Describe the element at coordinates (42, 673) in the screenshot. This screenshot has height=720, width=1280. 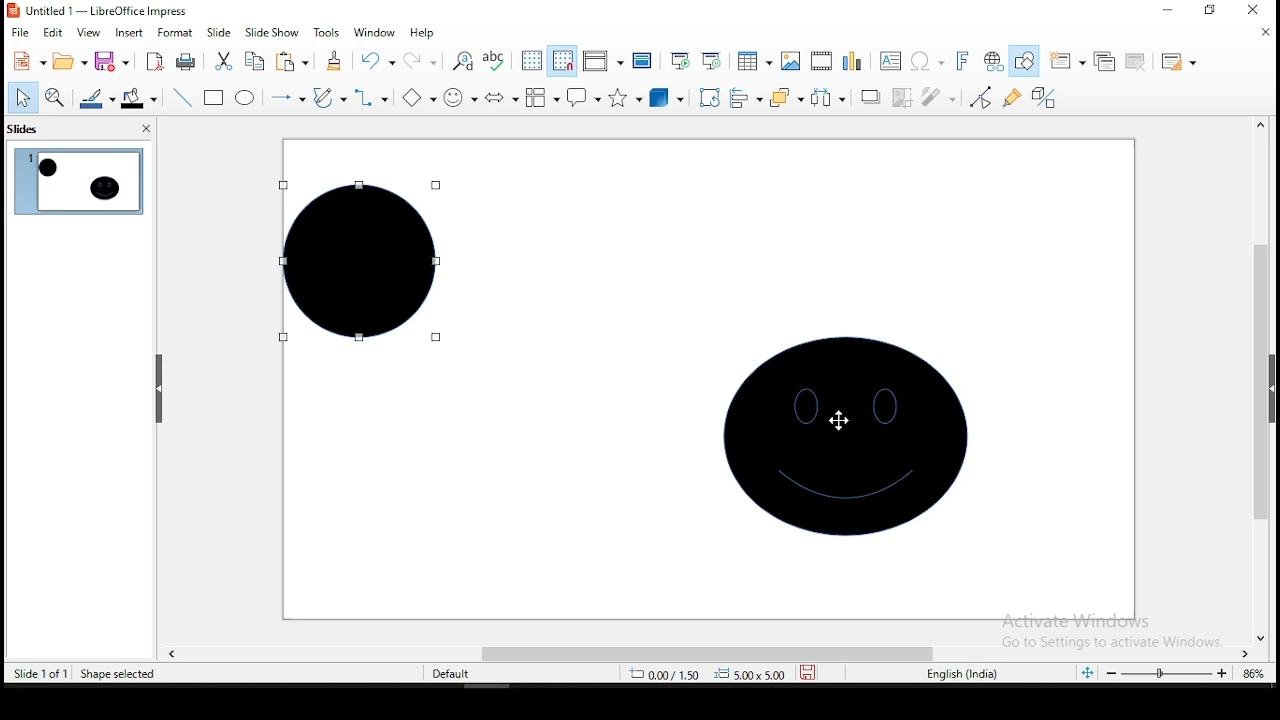
I see `slide 1 of 1` at that location.